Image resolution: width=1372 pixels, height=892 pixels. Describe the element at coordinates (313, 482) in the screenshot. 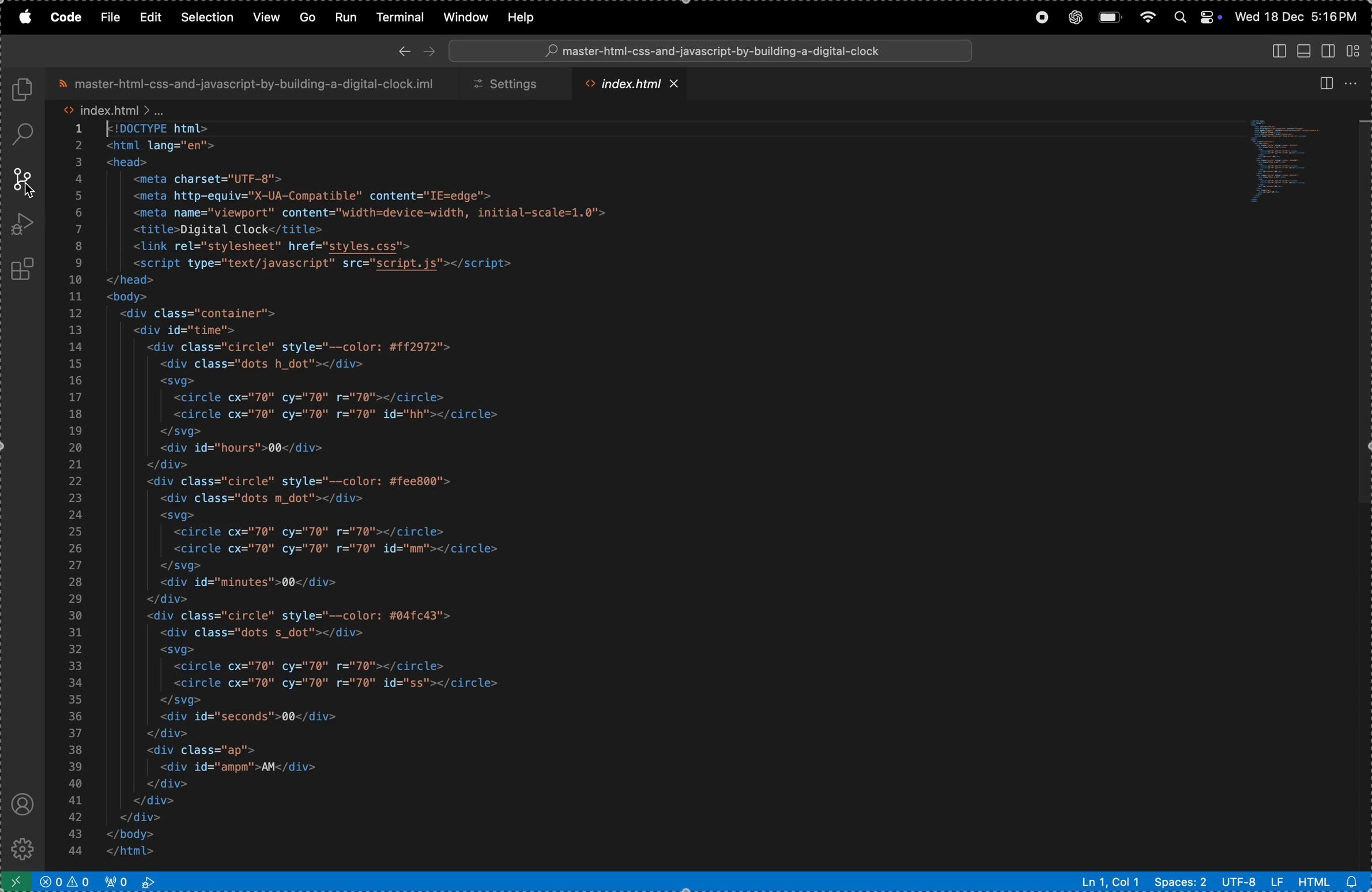

I see `<div class="circle" style="--color: #fee800">` at that location.